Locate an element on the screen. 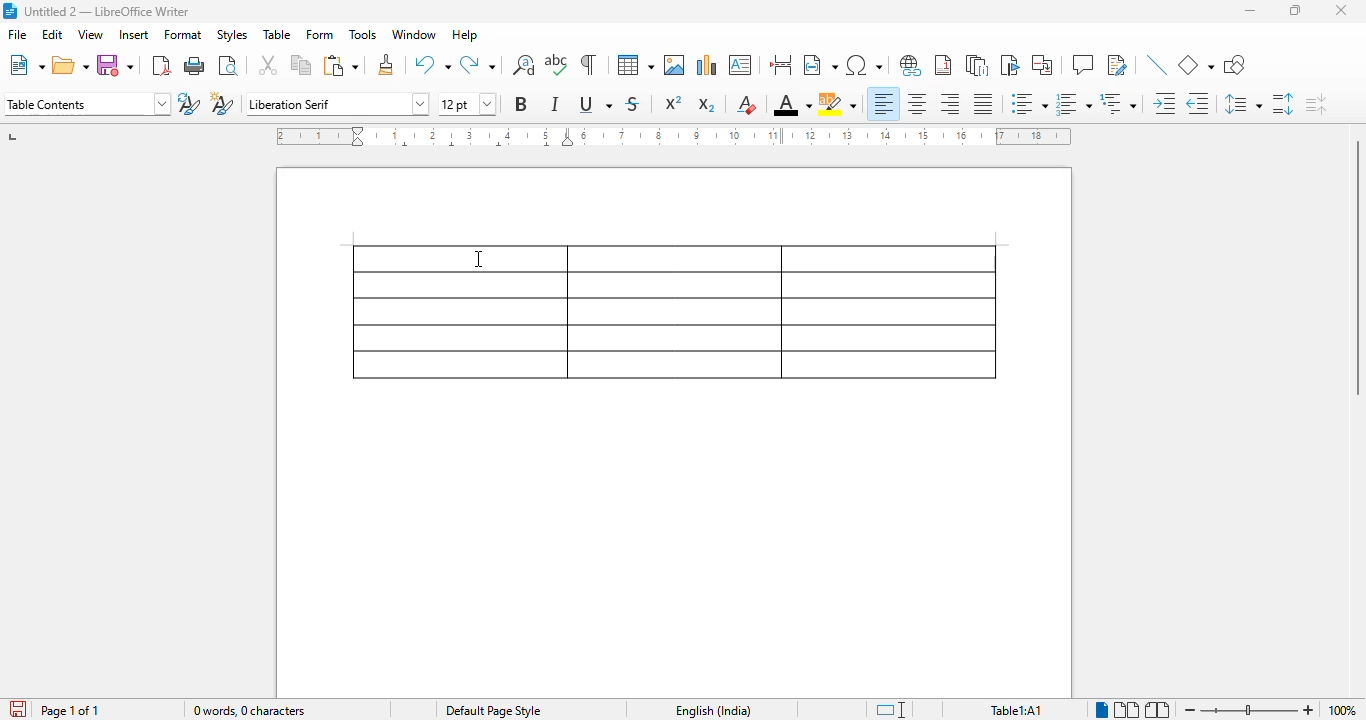  print is located at coordinates (194, 66).